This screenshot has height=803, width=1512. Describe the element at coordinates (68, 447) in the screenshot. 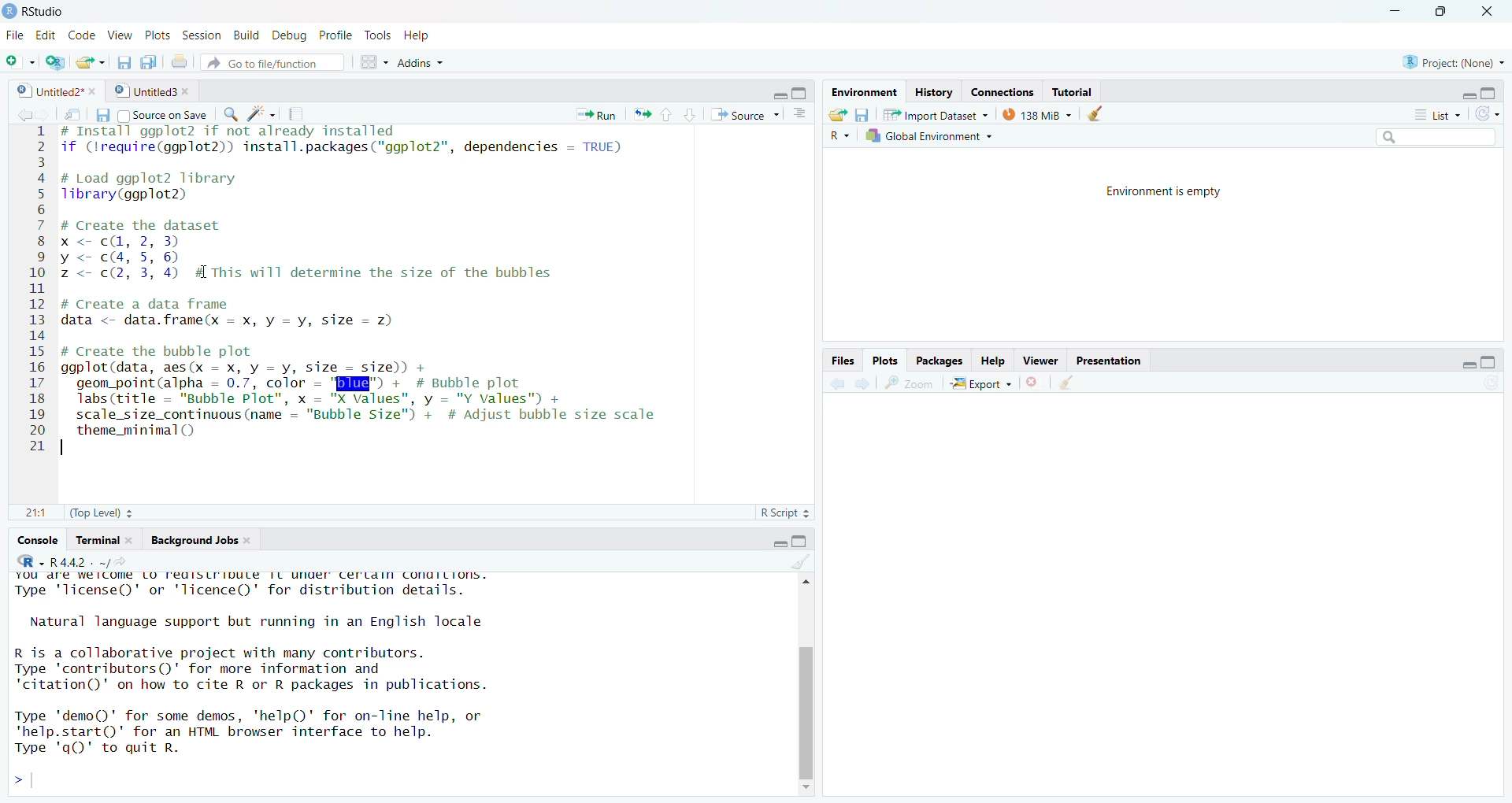

I see `text cursor` at that location.